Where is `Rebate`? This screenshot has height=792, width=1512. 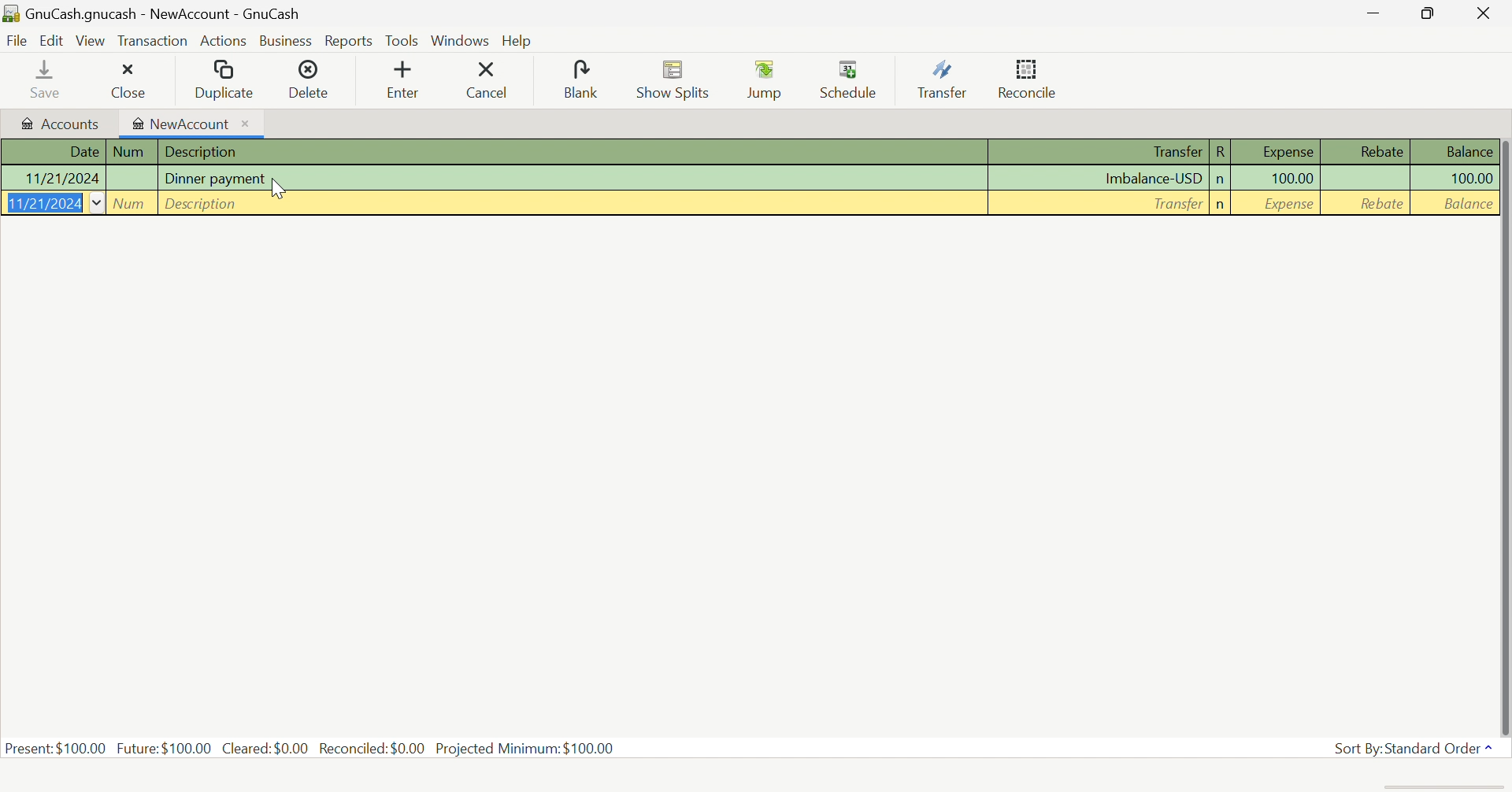
Rebate is located at coordinates (1380, 152).